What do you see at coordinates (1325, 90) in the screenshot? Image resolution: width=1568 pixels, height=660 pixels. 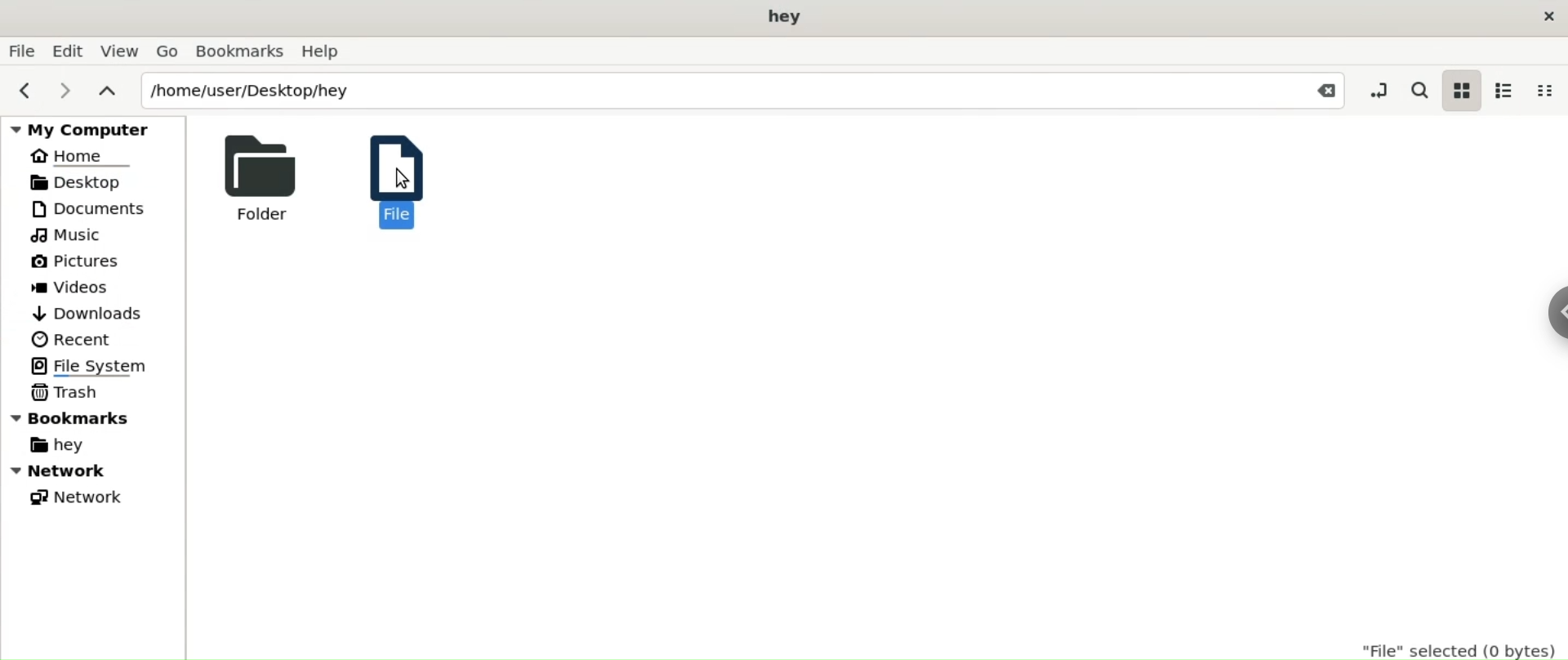 I see `Close` at bounding box center [1325, 90].